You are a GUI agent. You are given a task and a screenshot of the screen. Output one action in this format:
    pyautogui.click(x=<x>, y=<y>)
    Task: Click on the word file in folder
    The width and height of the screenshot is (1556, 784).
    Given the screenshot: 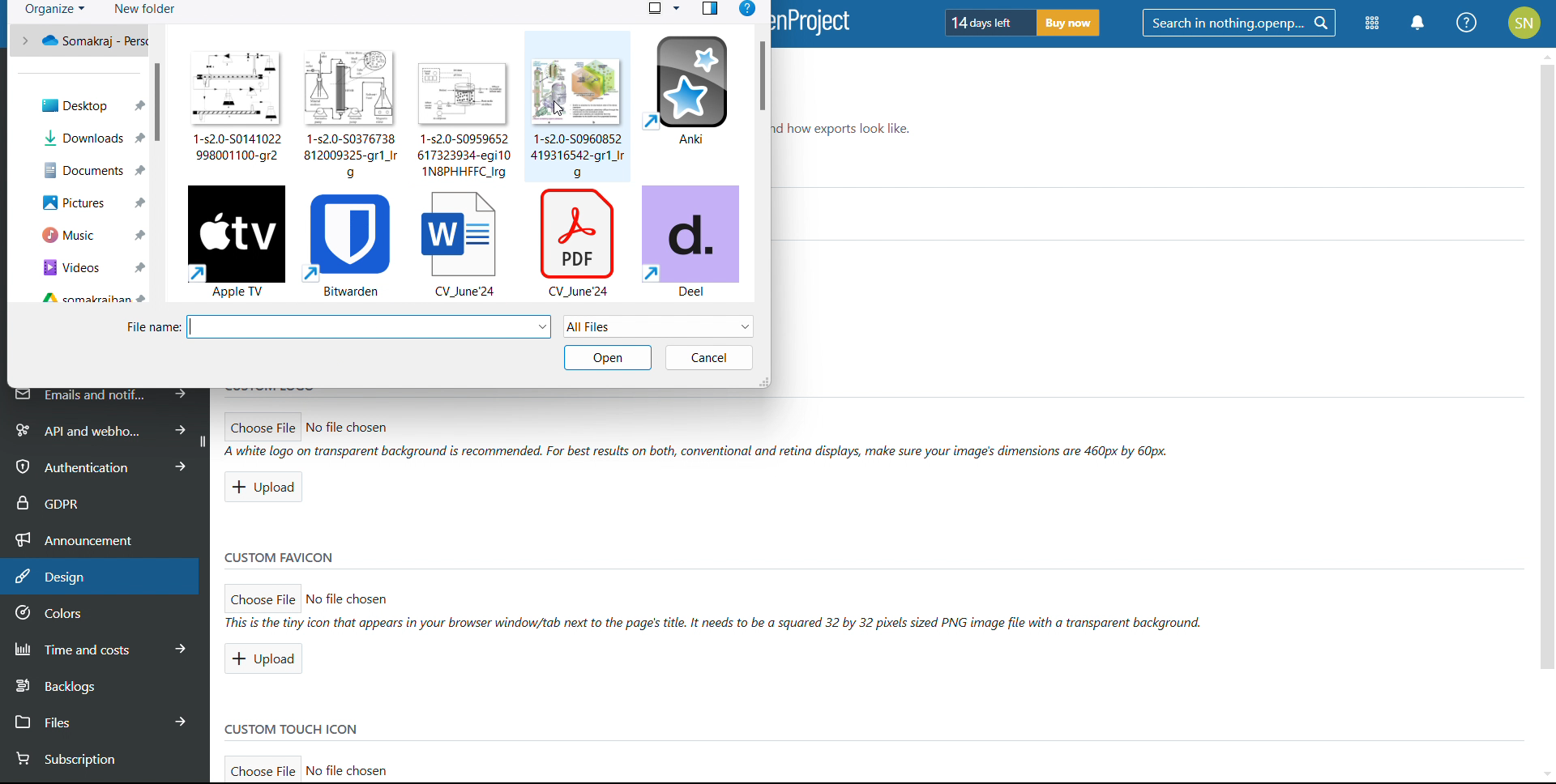 What is the action you would take?
    pyautogui.click(x=466, y=245)
    